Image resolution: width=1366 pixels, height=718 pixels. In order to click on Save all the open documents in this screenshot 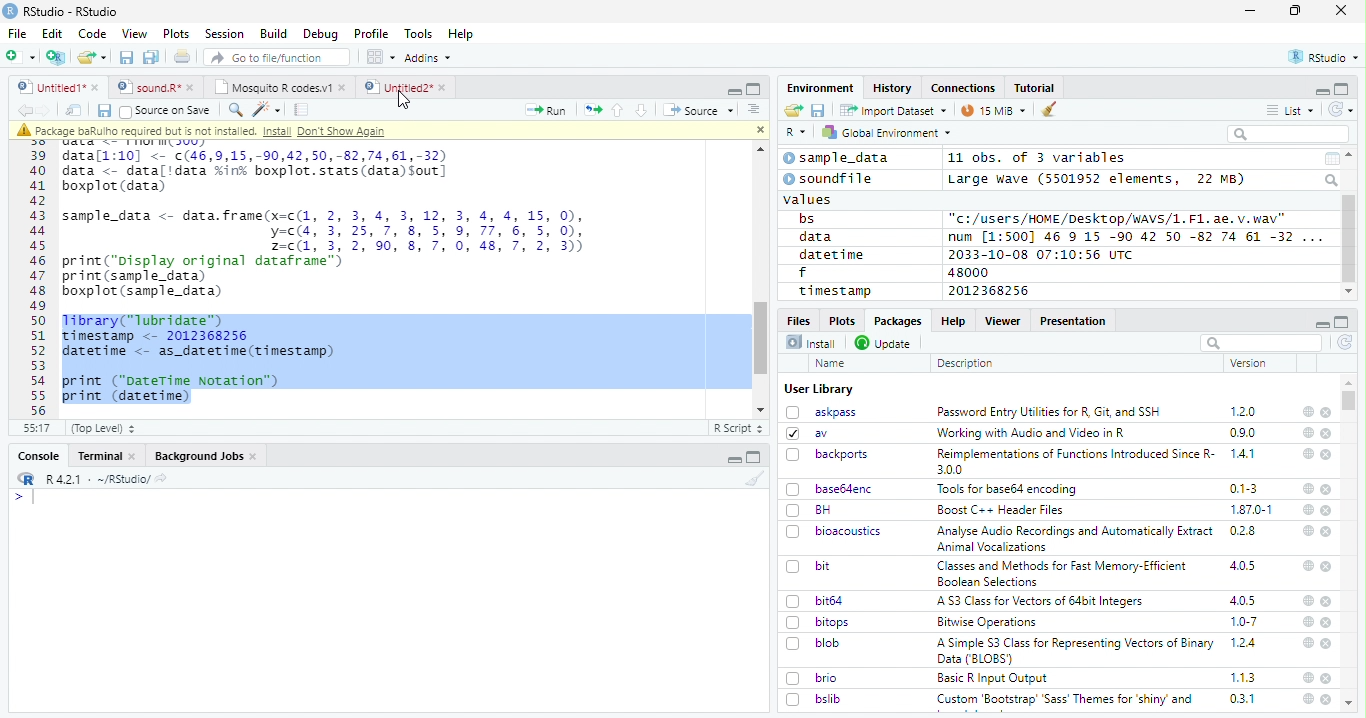, I will do `click(152, 58)`.